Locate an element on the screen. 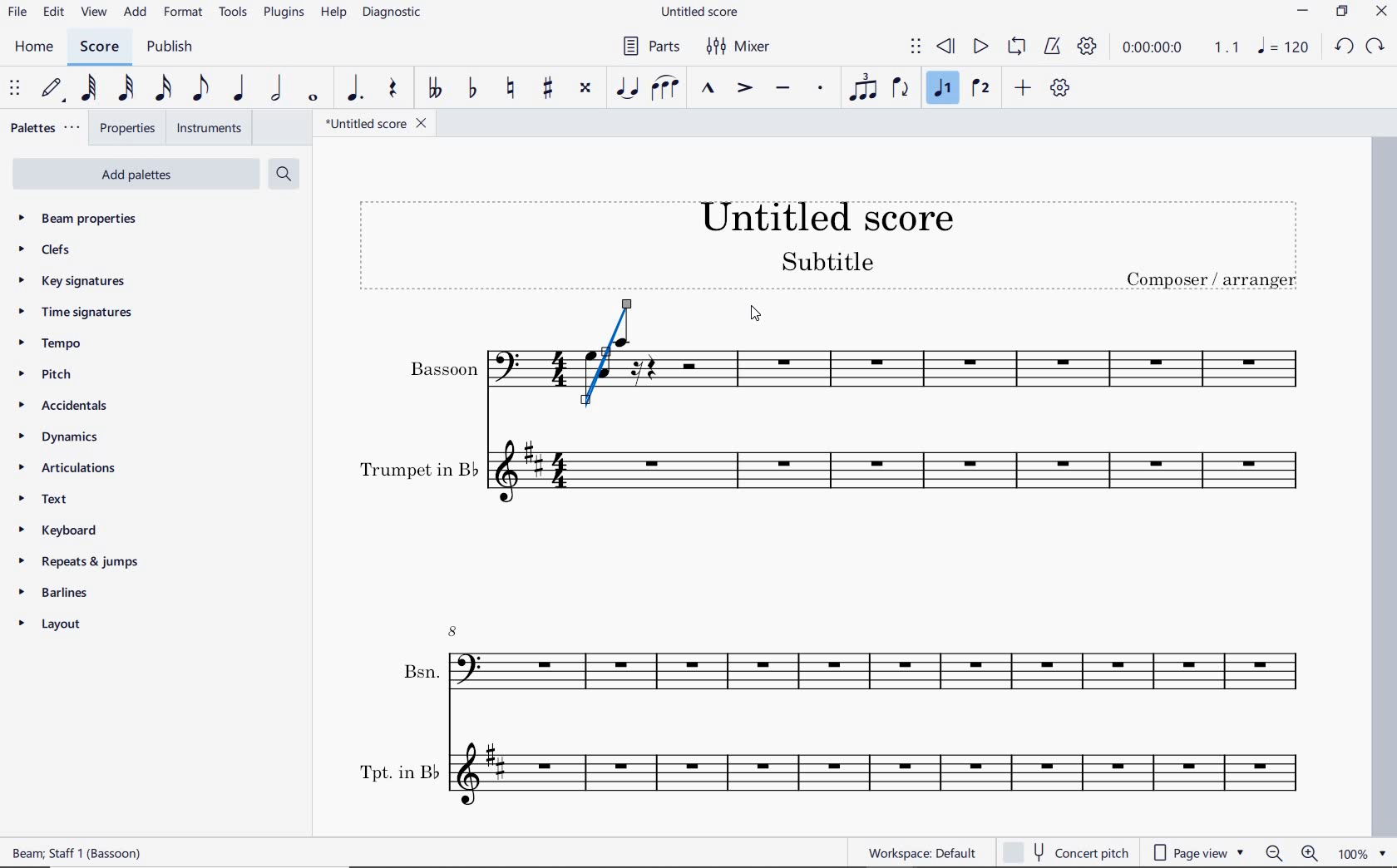 The height and width of the screenshot is (868, 1397). tenuto is located at coordinates (787, 88).